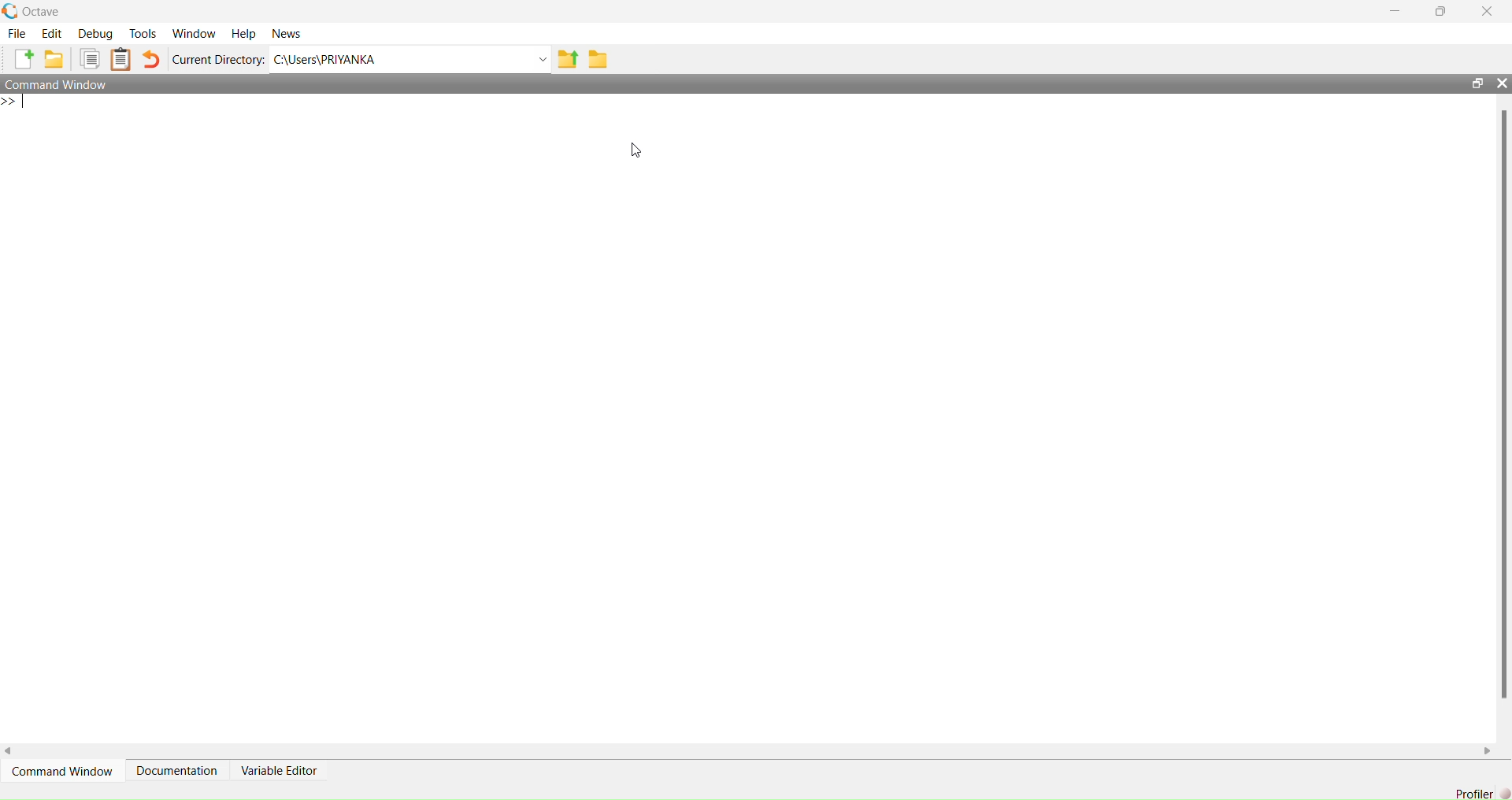 The image size is (1512, 800). What do you see at coordinates (747, 750) in the screenshot?
I see `horizontal scroll bar` at bounding box center [747, 750].